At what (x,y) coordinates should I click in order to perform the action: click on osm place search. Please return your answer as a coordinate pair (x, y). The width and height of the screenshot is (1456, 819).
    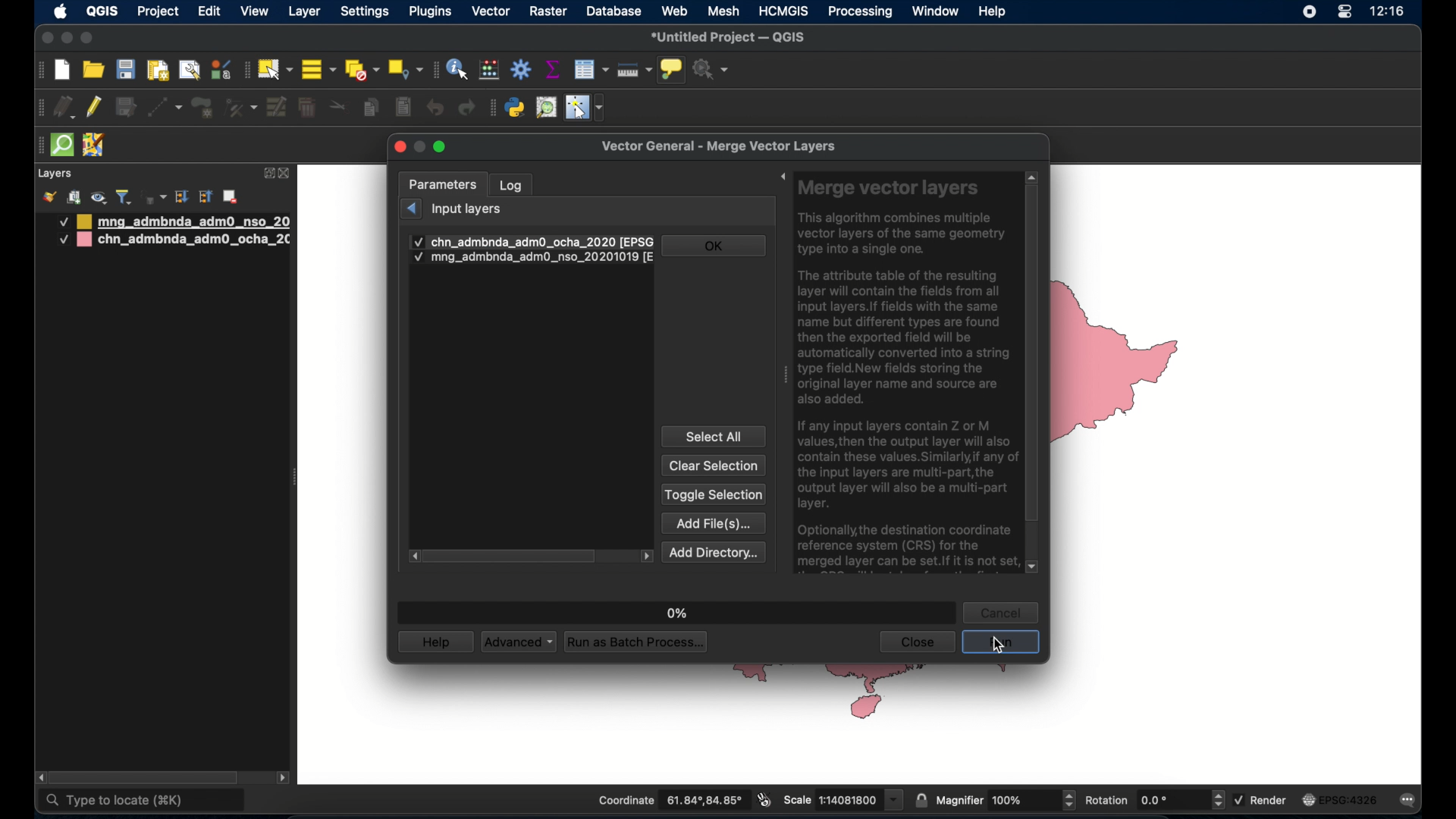
    Looking at the image, I should click on (546, 108).